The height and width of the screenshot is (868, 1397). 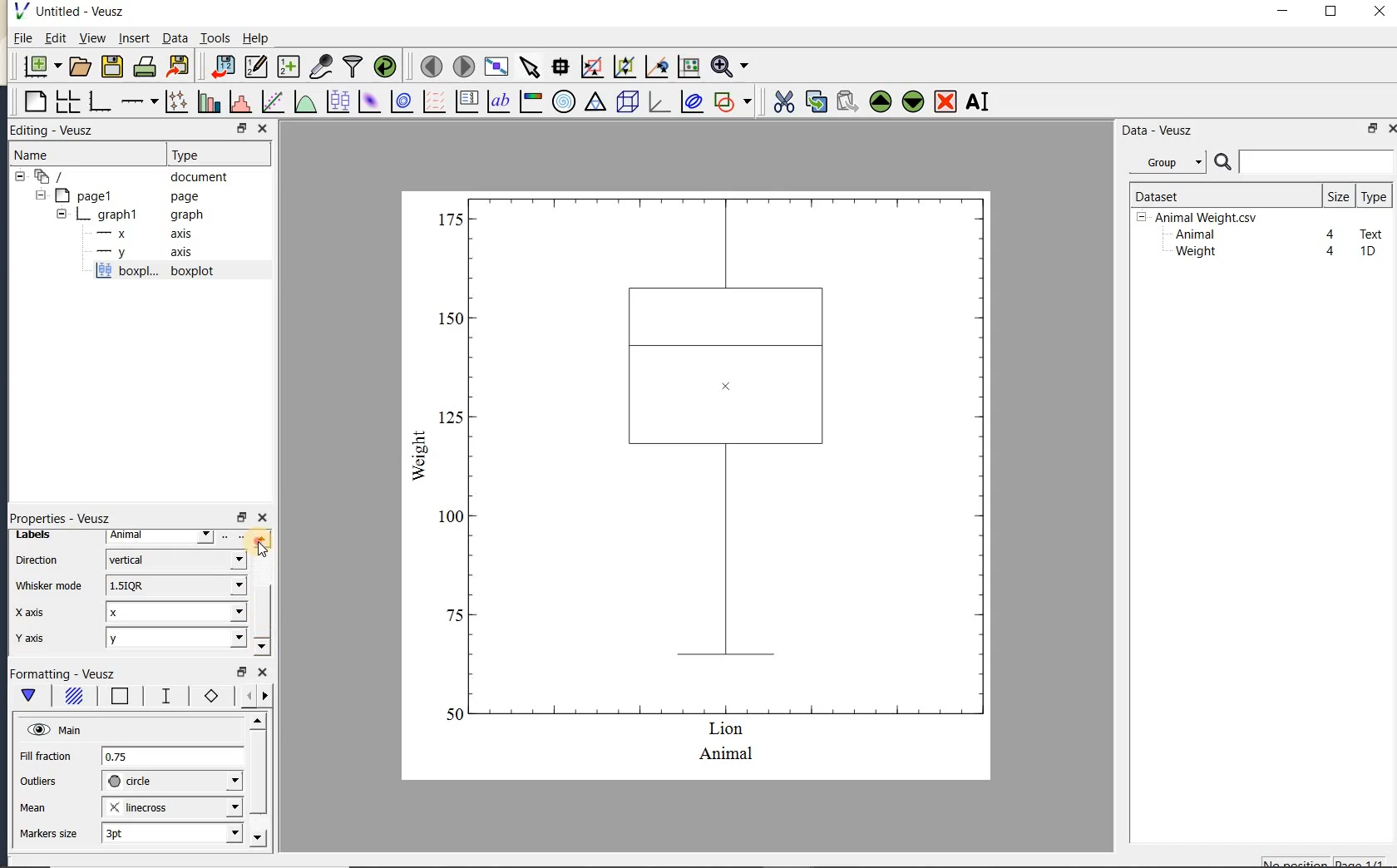 I want to click on markers border, so click(x=208, y=696).